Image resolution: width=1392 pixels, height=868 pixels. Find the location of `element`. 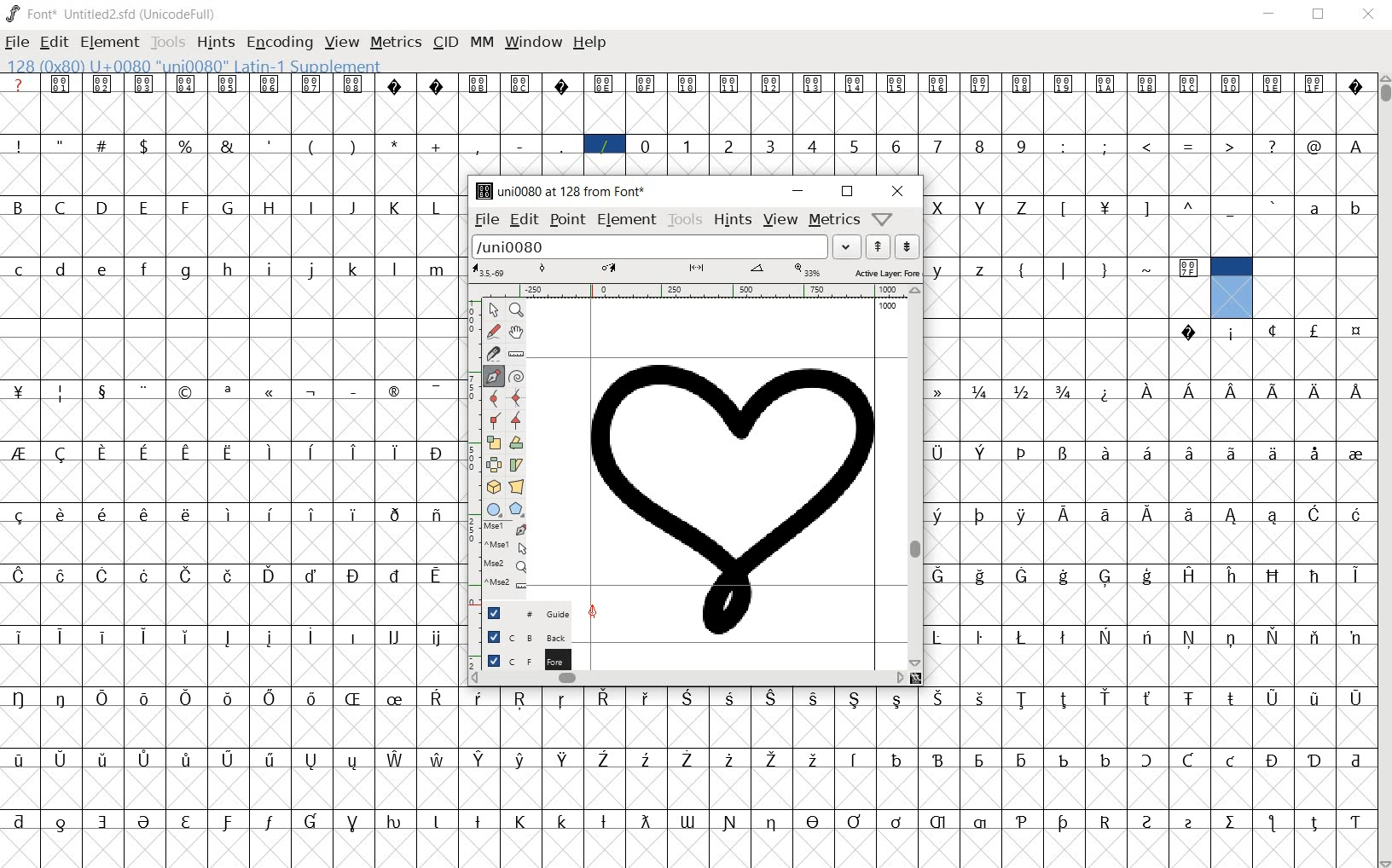

element is located at coordinates (626, 220).